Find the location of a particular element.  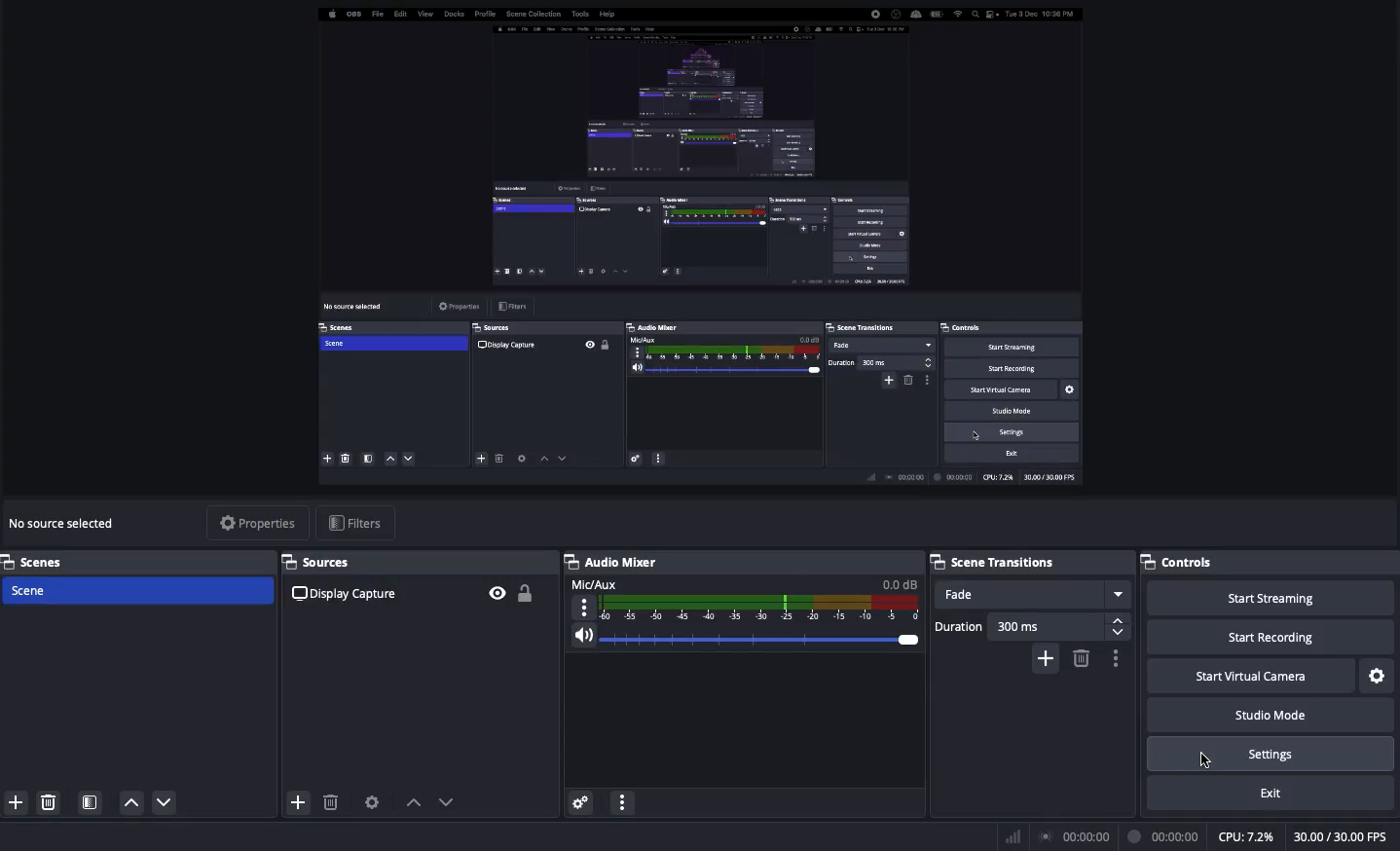

Unlocked is located at coordinates (524, 590).